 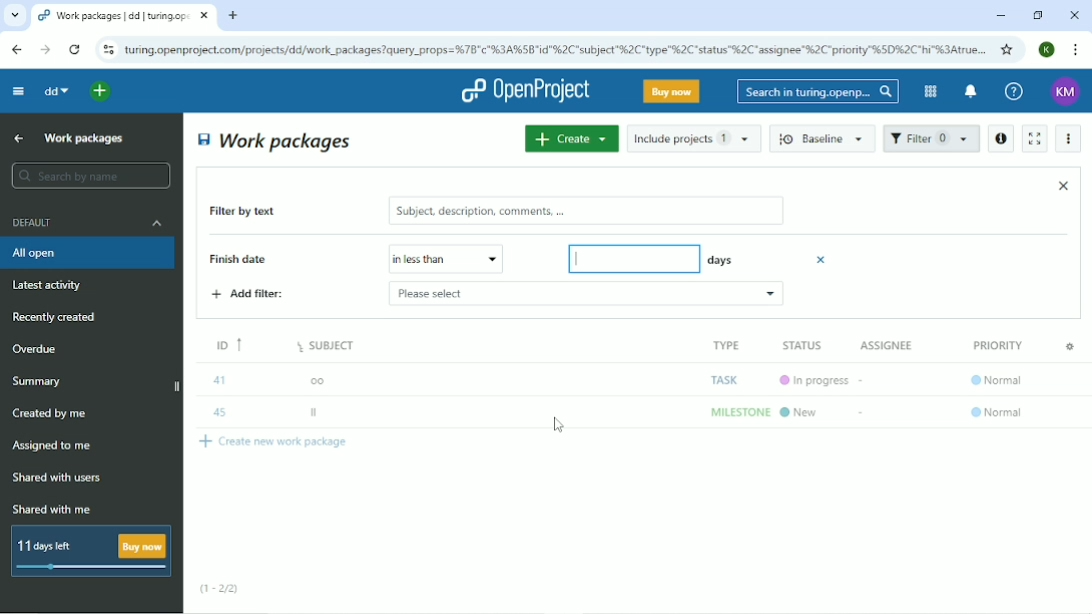 I want to click on Search tabs, so click(x=15, y=16).